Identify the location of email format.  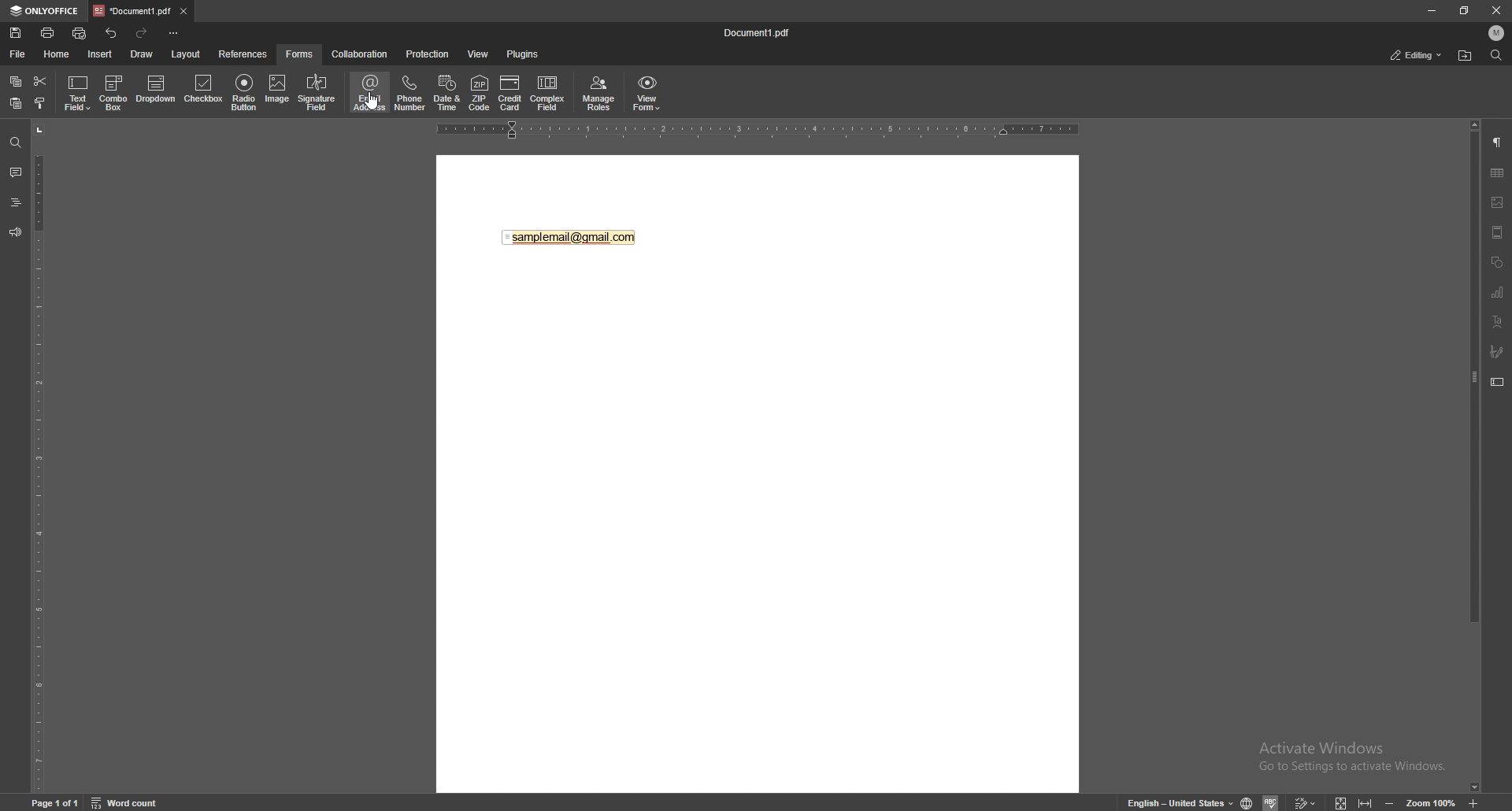
(570, 238).